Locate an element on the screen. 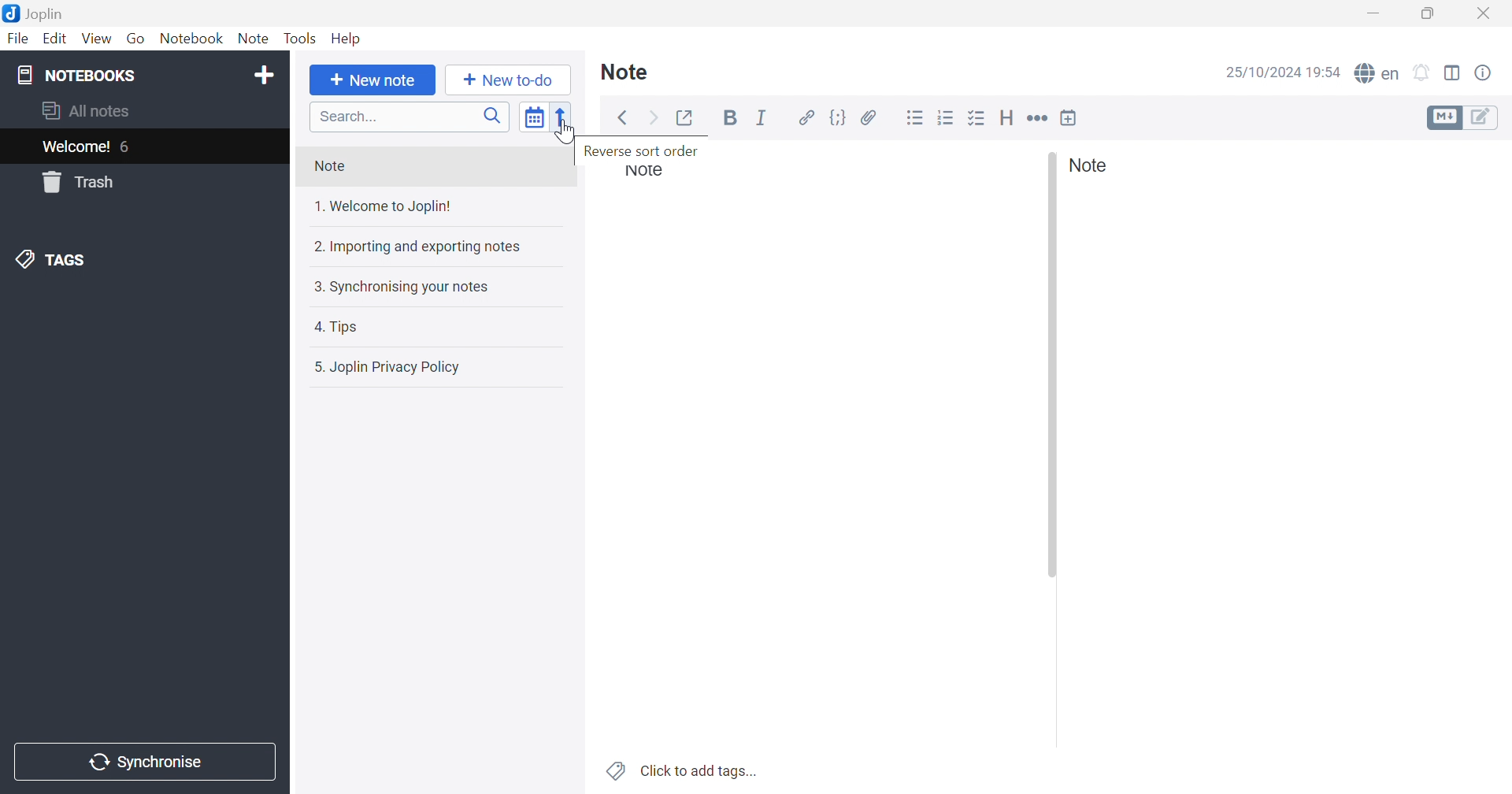  Italic is located at coordinates (763, 121).